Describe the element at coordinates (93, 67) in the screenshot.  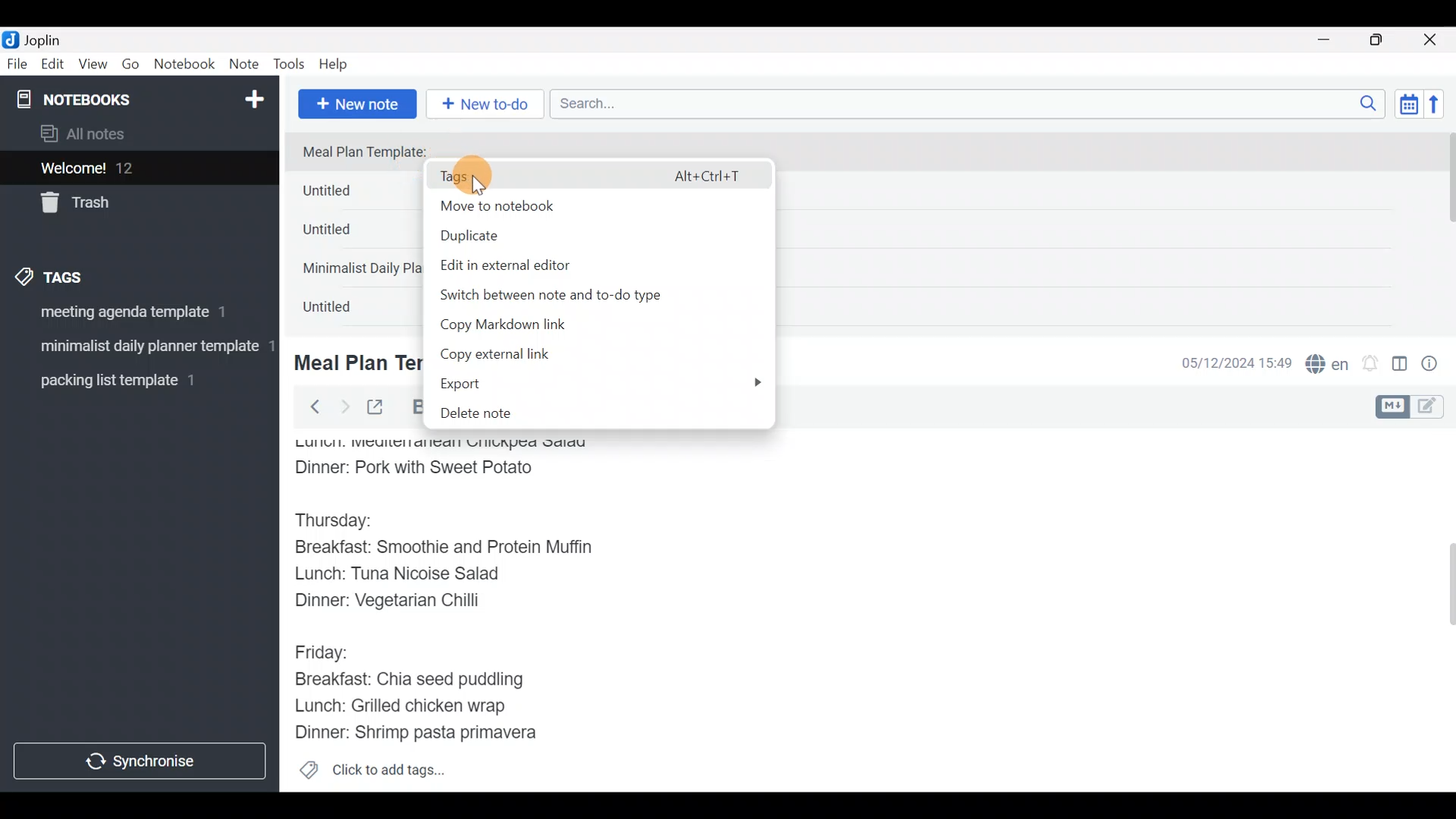
I see `View` at that location.